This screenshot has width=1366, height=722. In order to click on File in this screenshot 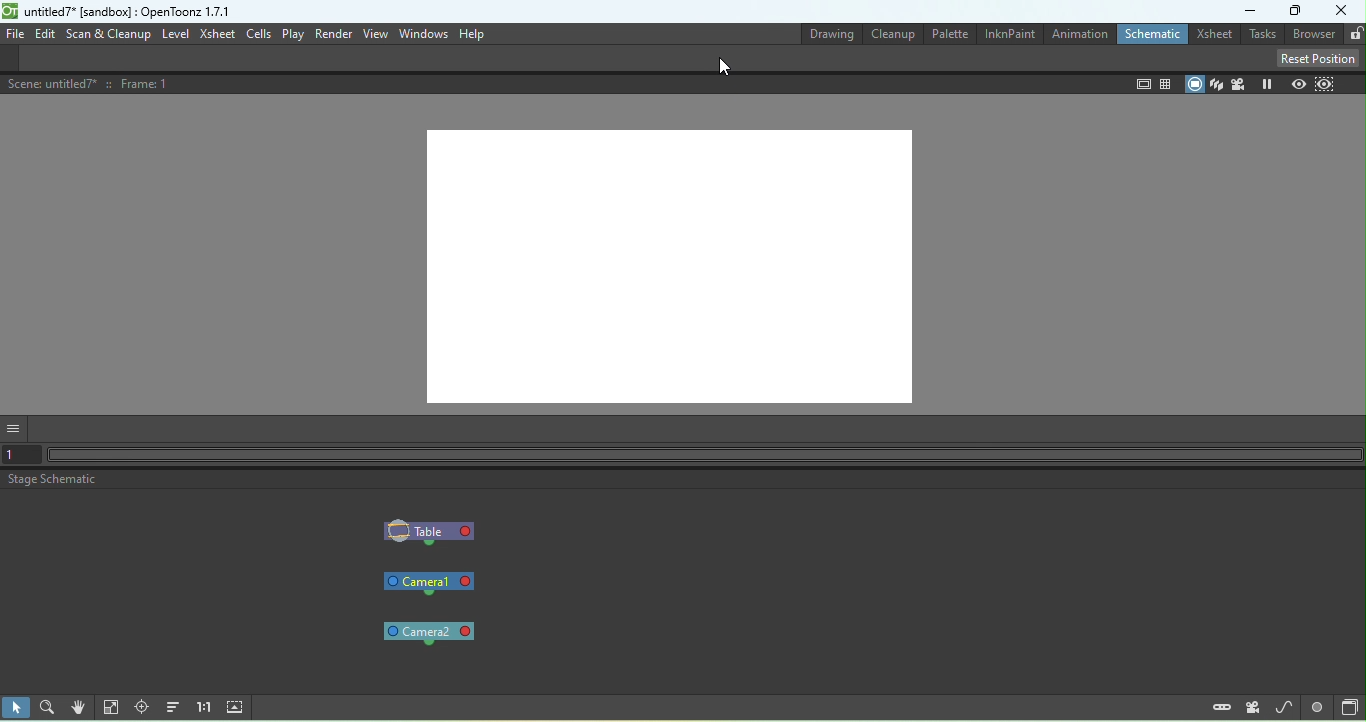, I will do `click(17, 34)`.